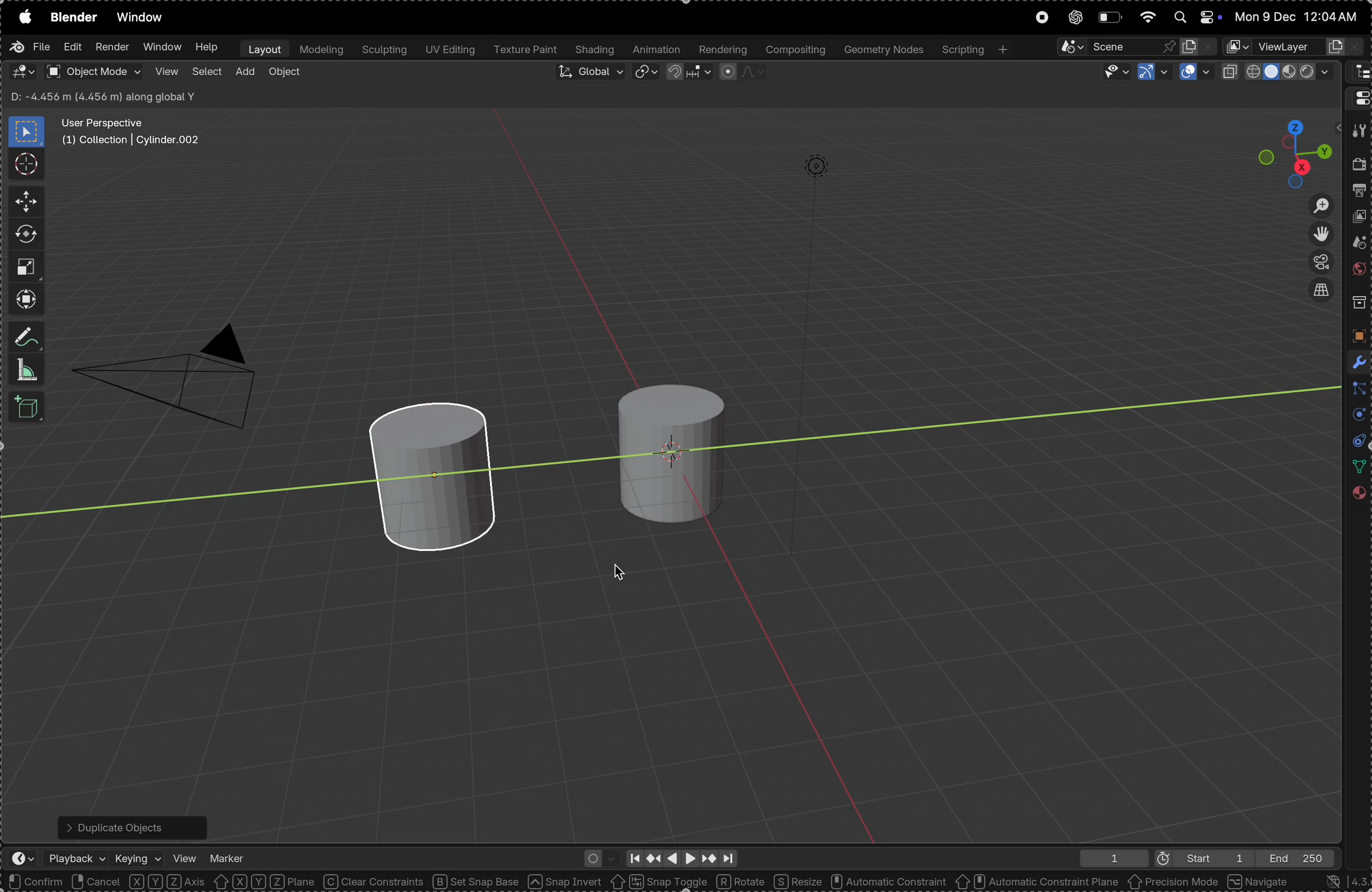 This screenshot has width=1372, height=892. Describe the element at coordinates (244, 73) in the screenshot. I see `add` at that location.